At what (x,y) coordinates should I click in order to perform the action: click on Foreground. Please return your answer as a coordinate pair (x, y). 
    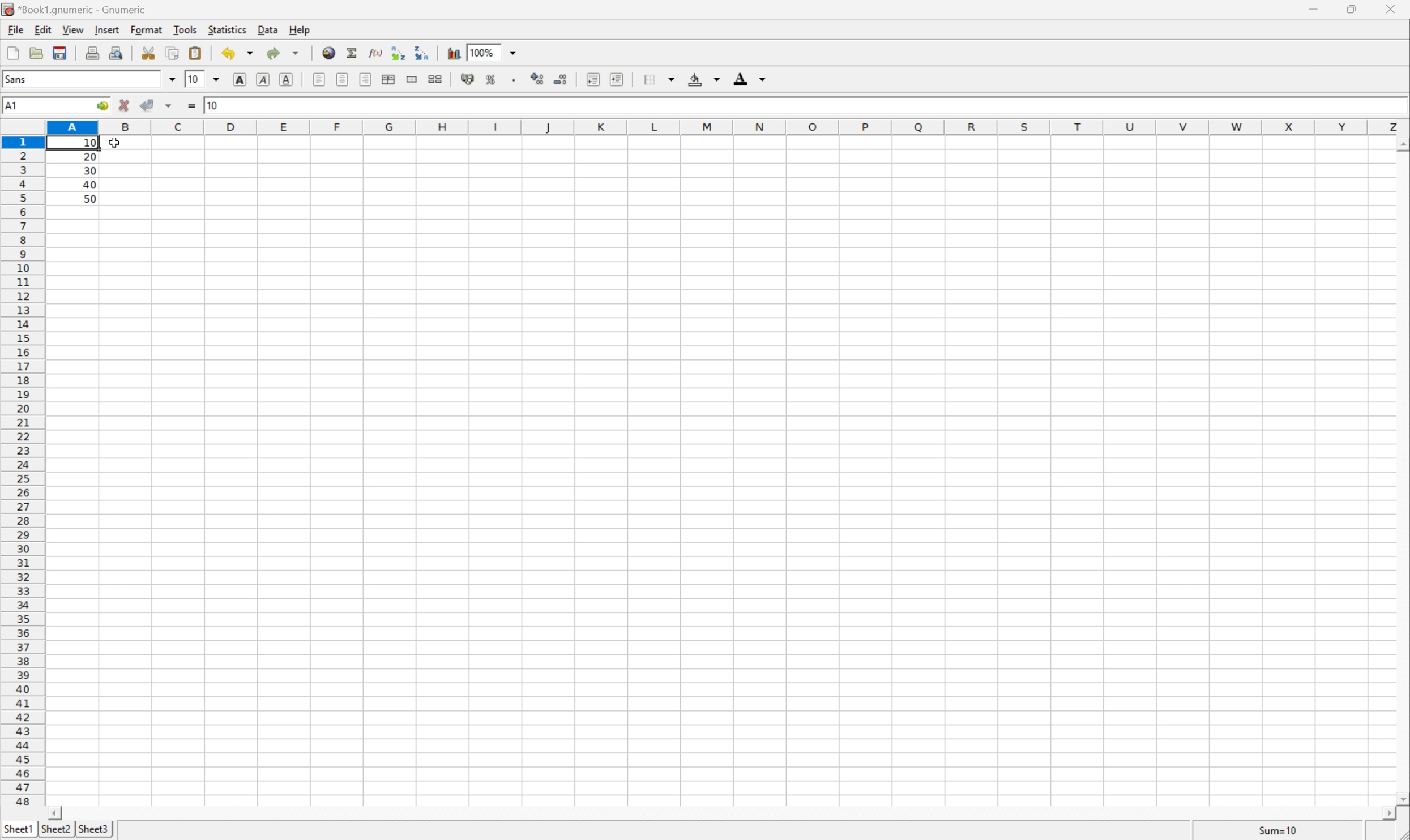
    Looking at the image, I should click on (750, 78).